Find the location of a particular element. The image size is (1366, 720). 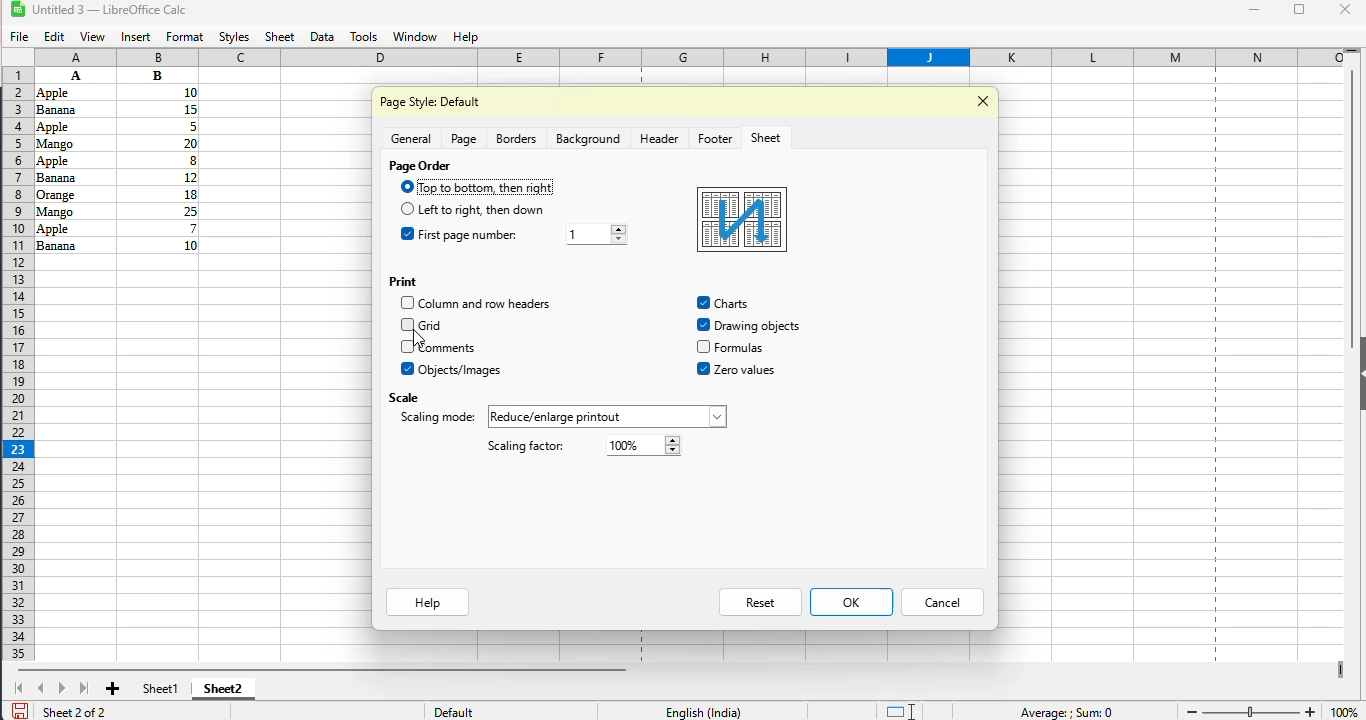

help is located at coordinates (464, 37).